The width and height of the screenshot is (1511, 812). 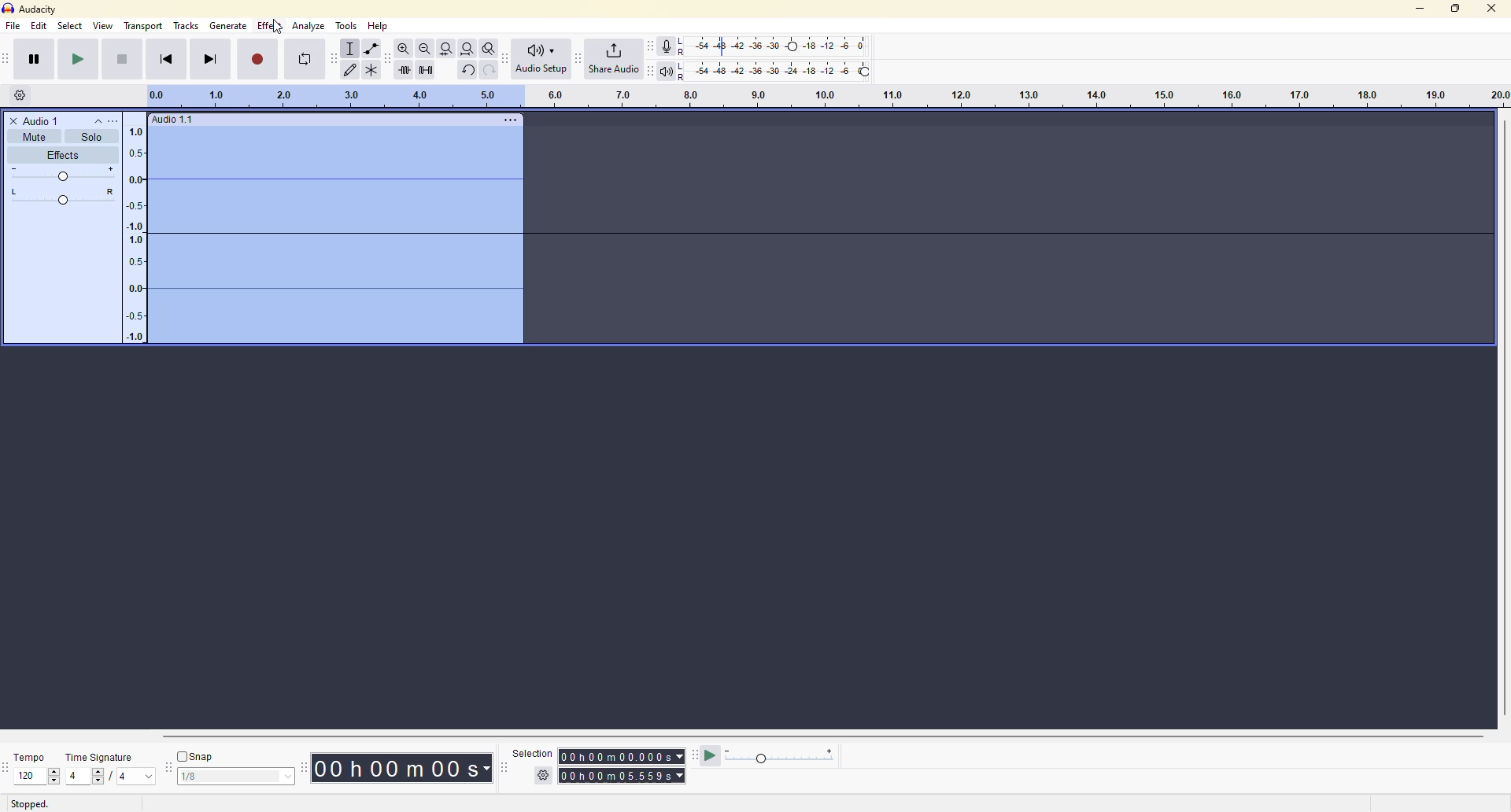 I want to click on cursor, so click(x=276, y=28).